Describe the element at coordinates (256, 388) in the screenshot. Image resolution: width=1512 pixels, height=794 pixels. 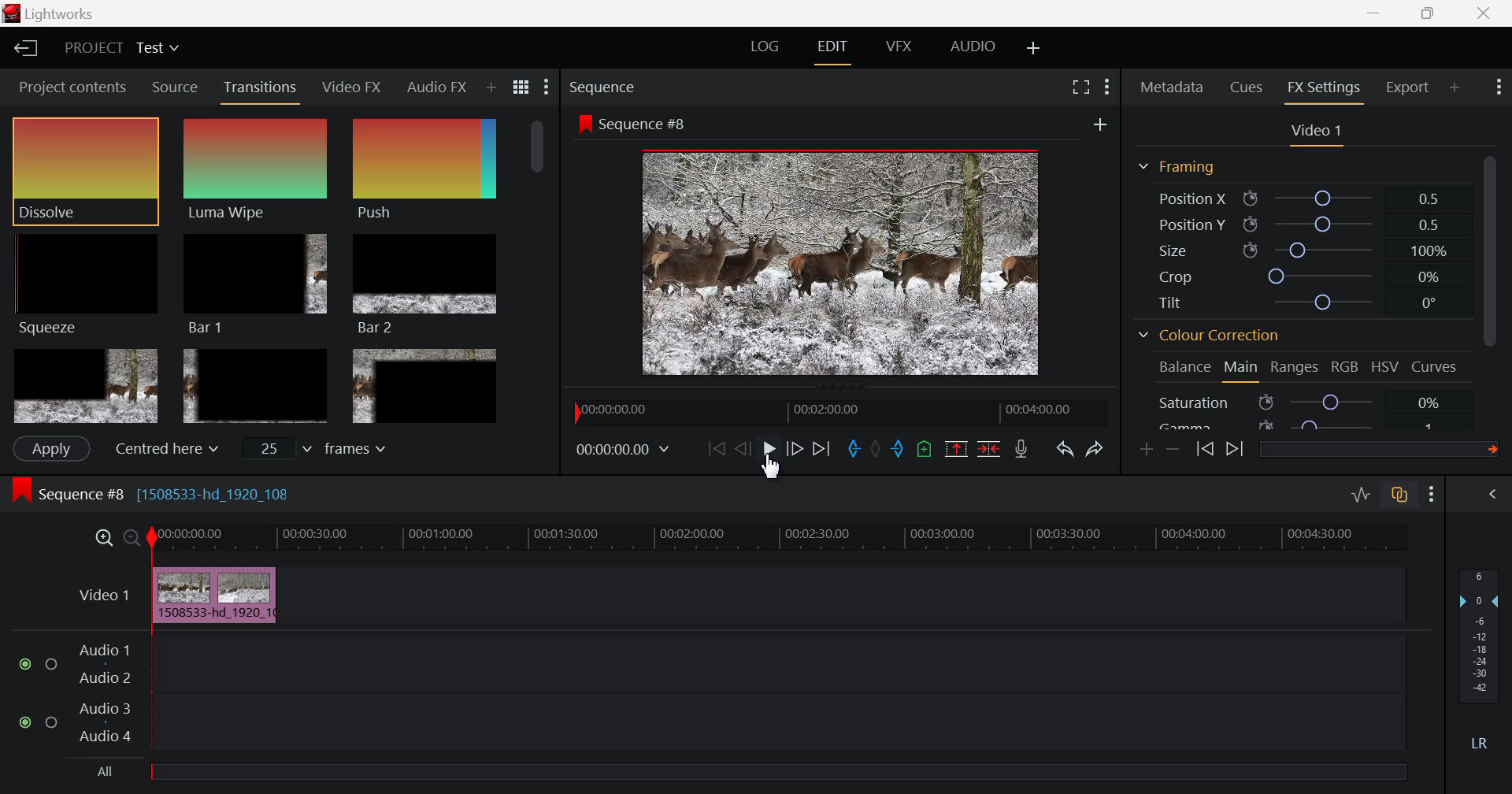
I see `Box 5` at that location.